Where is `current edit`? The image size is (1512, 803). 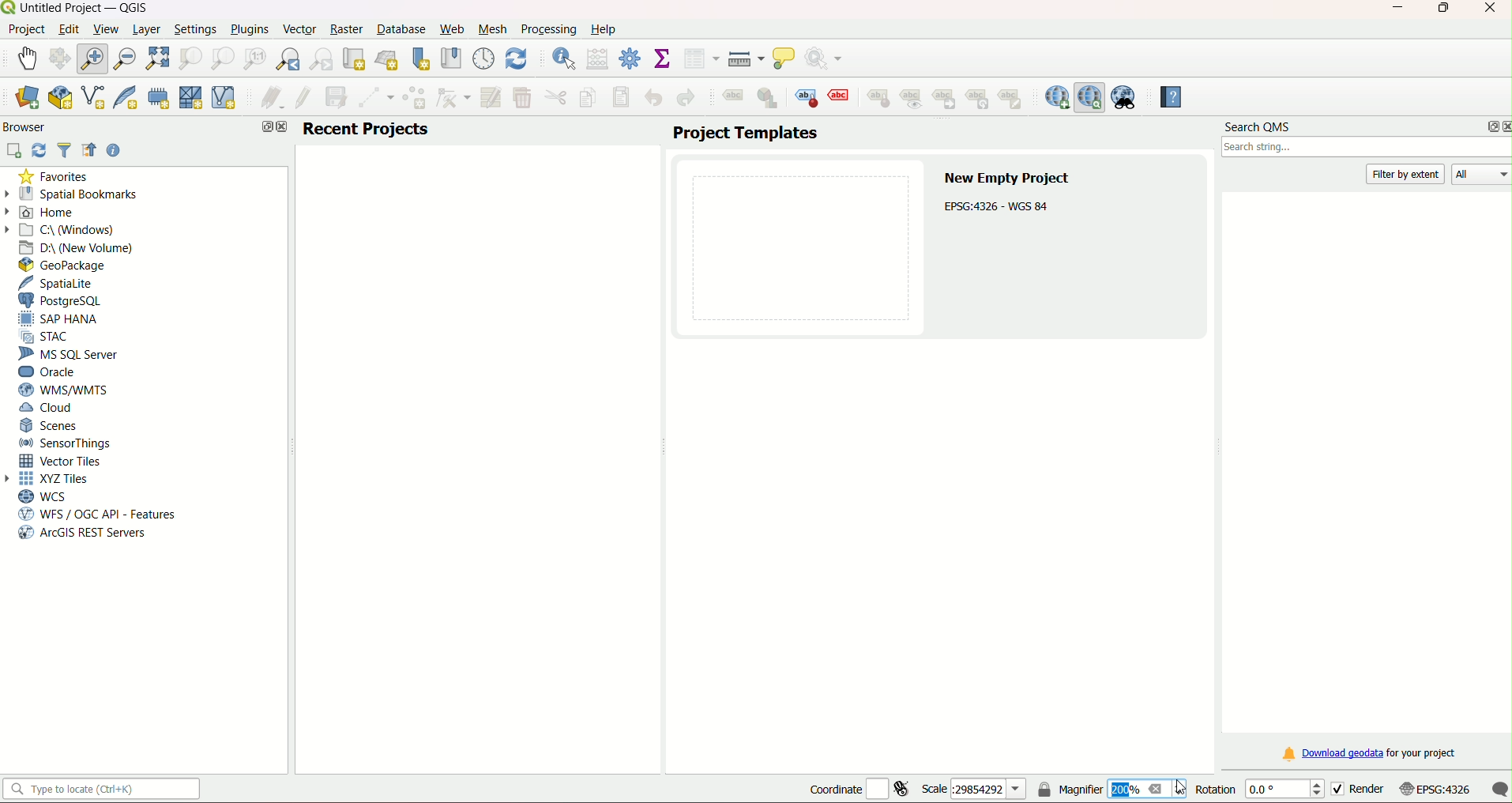 current edit is located at coordinates (268, 99).